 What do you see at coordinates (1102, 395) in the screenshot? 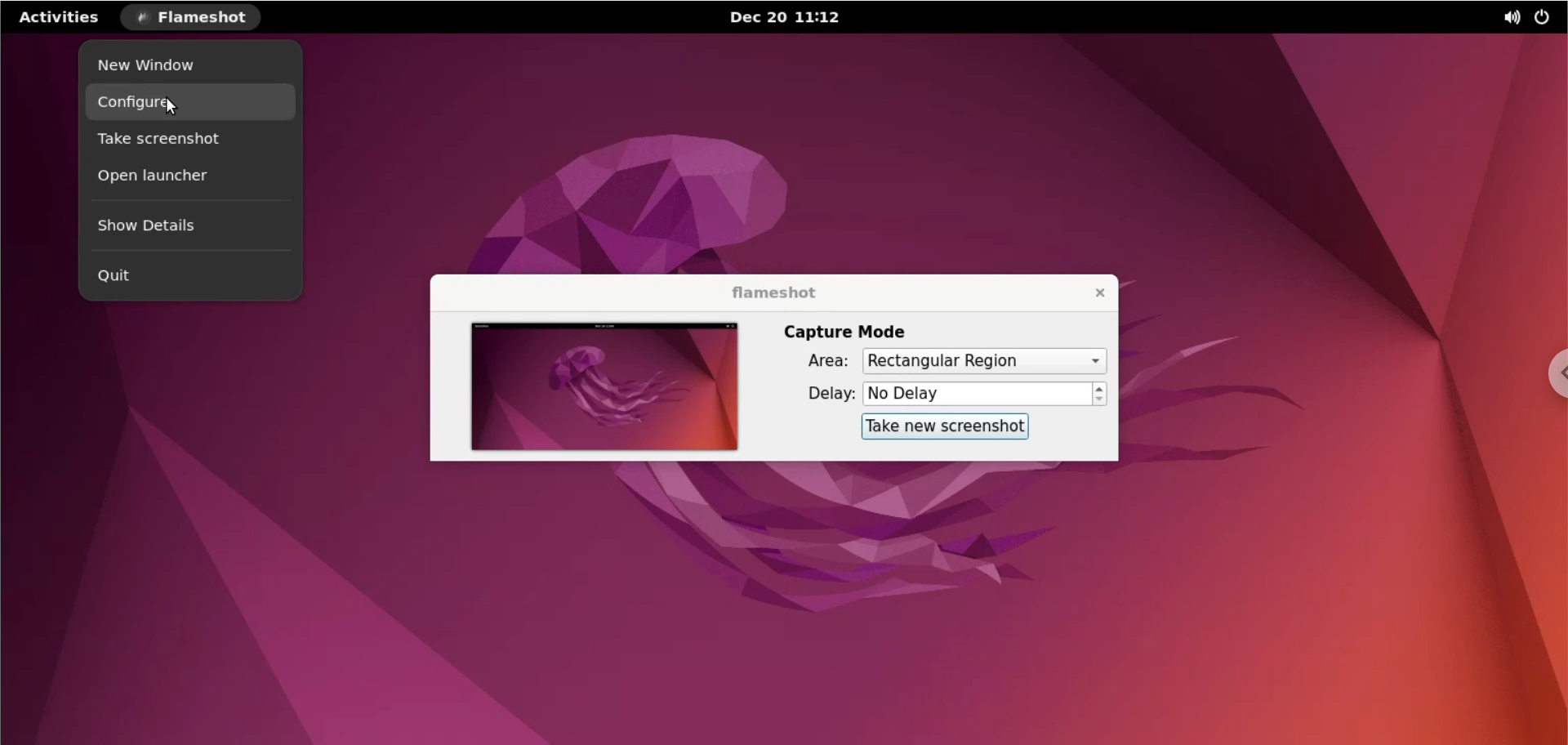
I see `increment or decrement delay` at bounding box center [1102, 395].